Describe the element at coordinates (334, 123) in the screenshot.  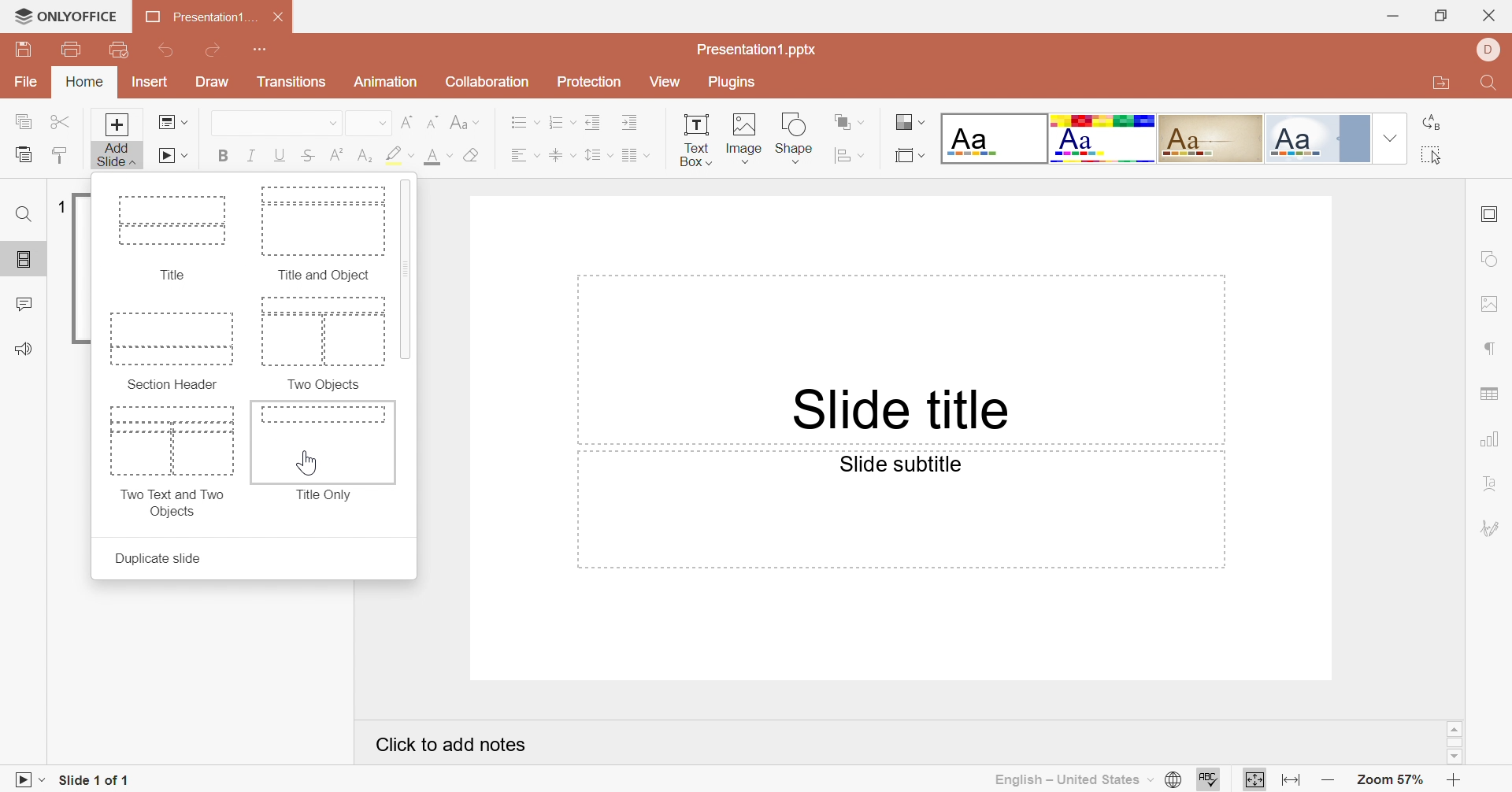
I see `Drop Down` at that location.